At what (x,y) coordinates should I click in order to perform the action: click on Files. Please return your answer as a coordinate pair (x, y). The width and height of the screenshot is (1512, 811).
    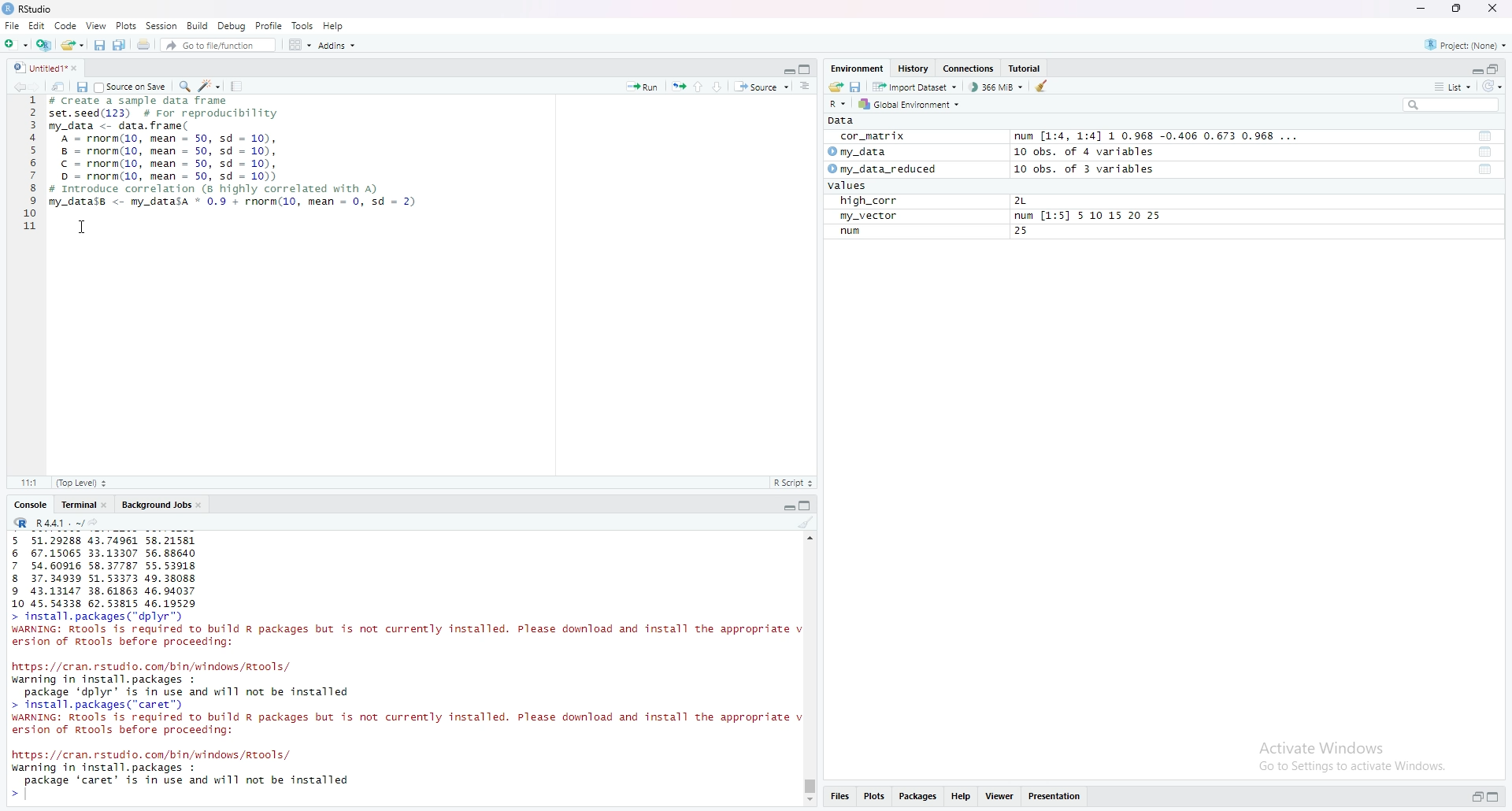
    Looking at the image, I should click on (839, 796).